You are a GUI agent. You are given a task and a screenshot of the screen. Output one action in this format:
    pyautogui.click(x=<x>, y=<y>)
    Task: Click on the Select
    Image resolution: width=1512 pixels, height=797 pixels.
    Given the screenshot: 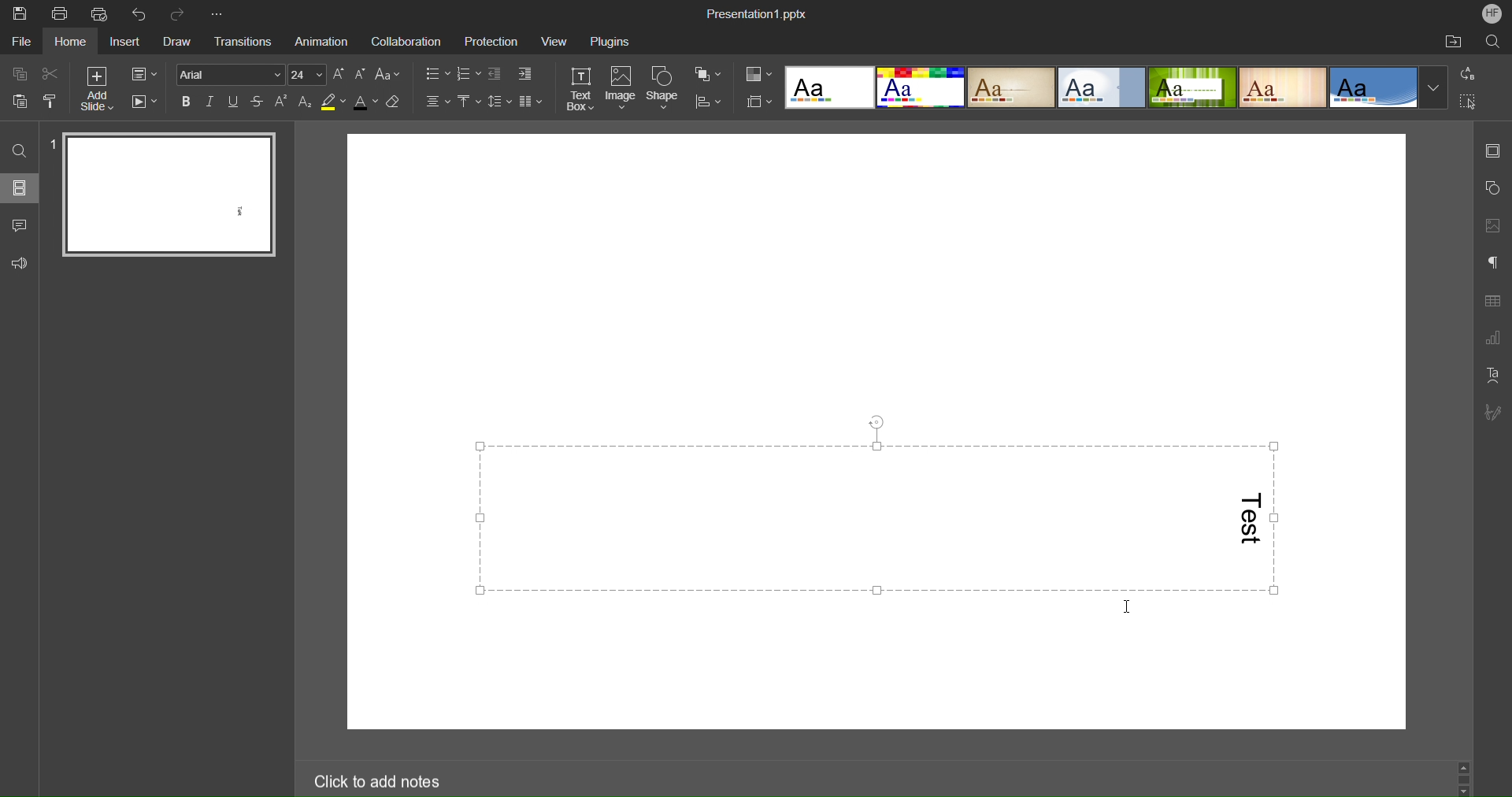 What is the action you would take?
    pyautogui.click(x=1469, y=102)
    